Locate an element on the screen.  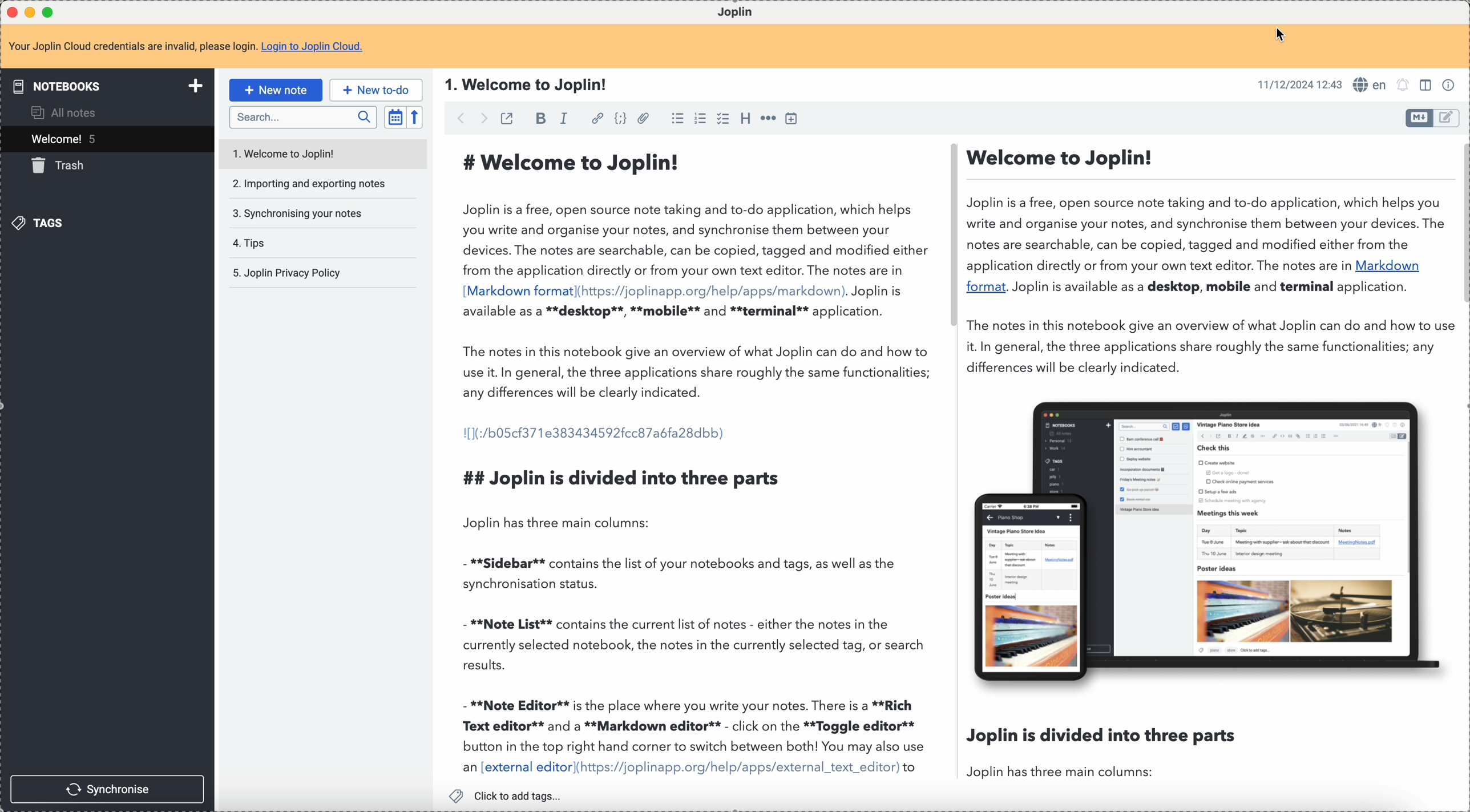
Welcome to Joplin! is located at coordinates (1064, 157).